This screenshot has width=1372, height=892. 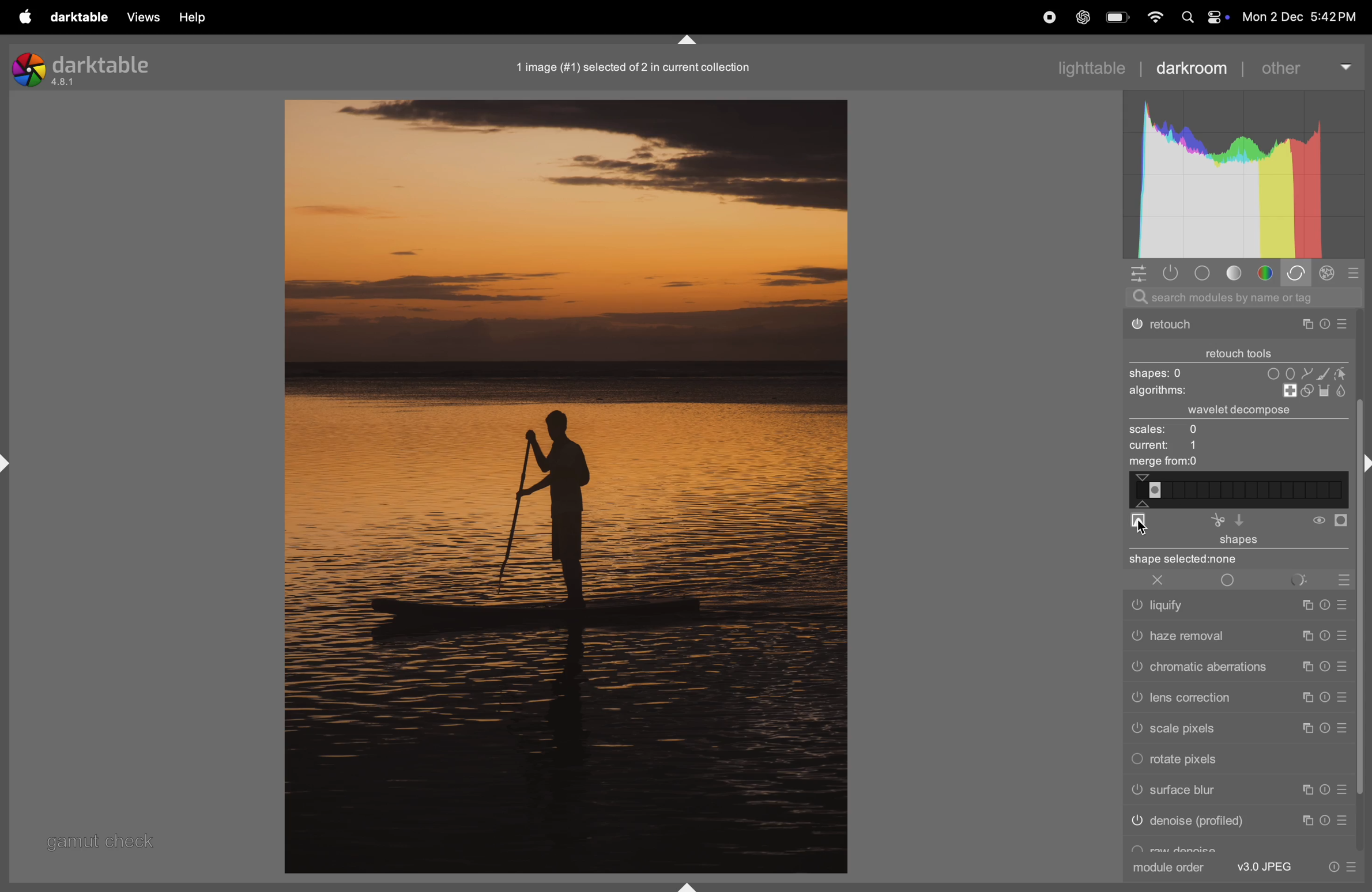 I want to click on effect, so click(x=1329, y=275).